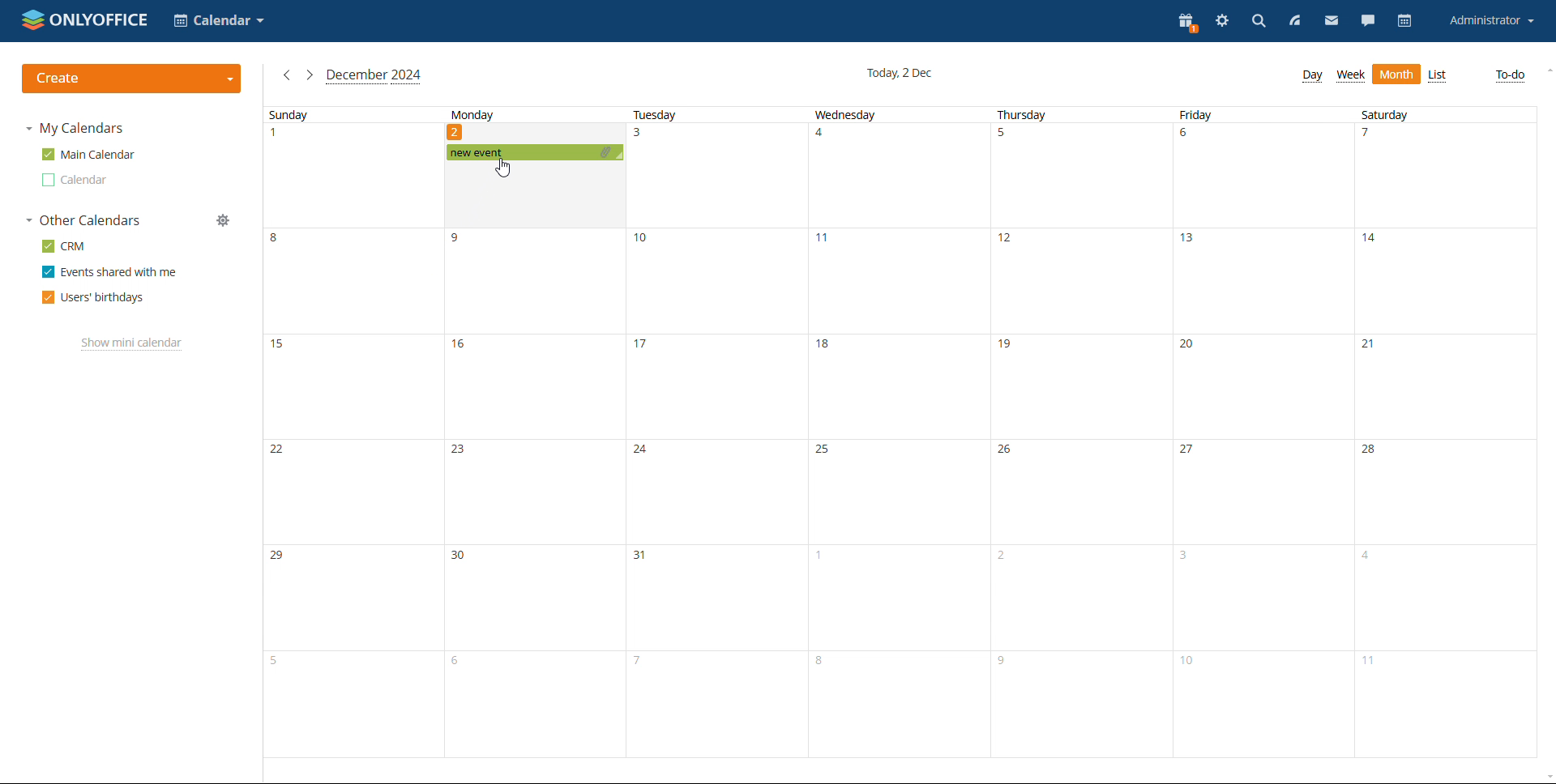 This screenshot has width=1556, height=784. What do you see at coordinates (281, 352) in the screenshot?
I see `15` at bounding box center [281, 352].